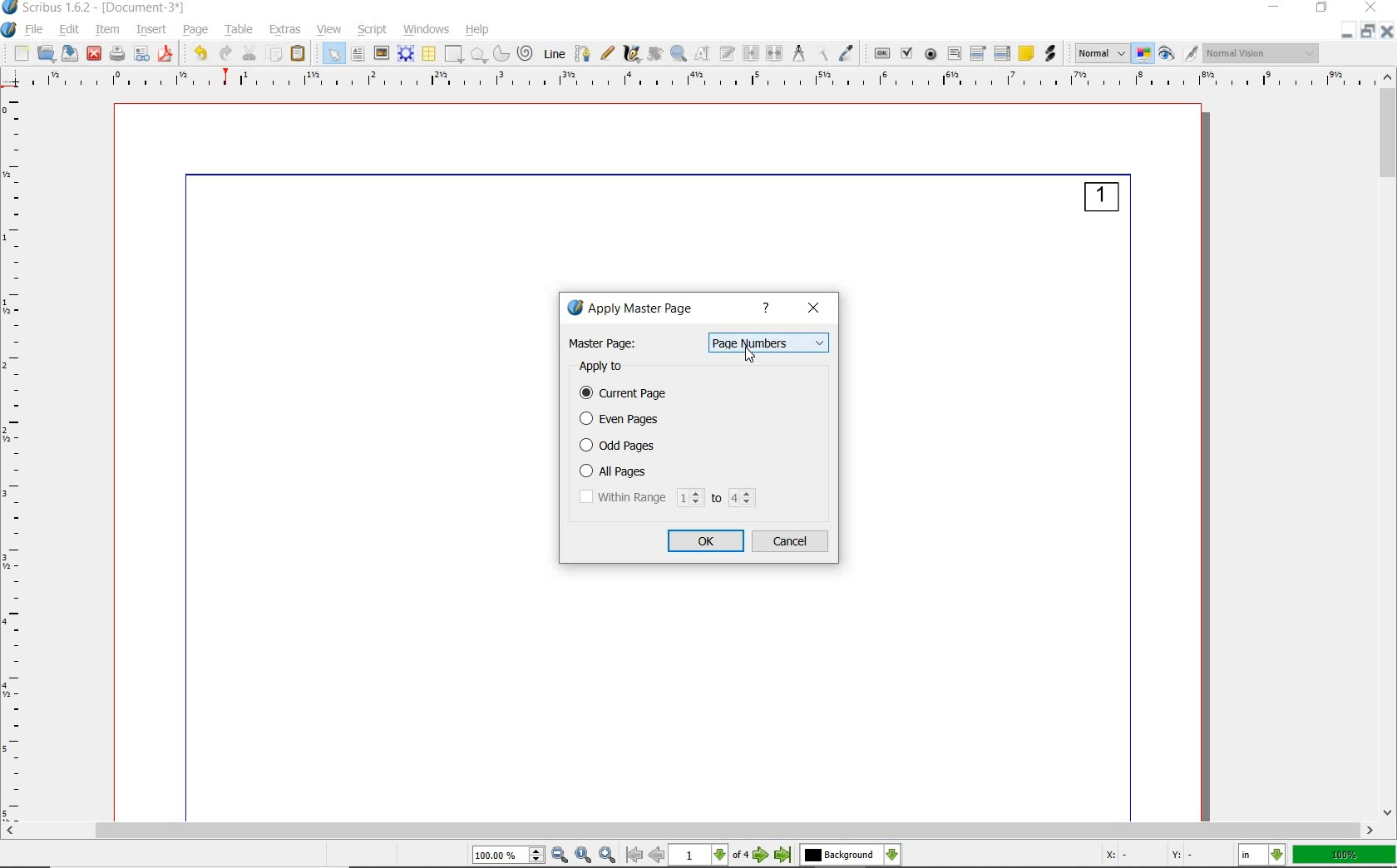 The height and width of the screenshot is (868, 1397). Describe the element at coordinates (708, 856) in the screenshot. I see `select current page` at that location.